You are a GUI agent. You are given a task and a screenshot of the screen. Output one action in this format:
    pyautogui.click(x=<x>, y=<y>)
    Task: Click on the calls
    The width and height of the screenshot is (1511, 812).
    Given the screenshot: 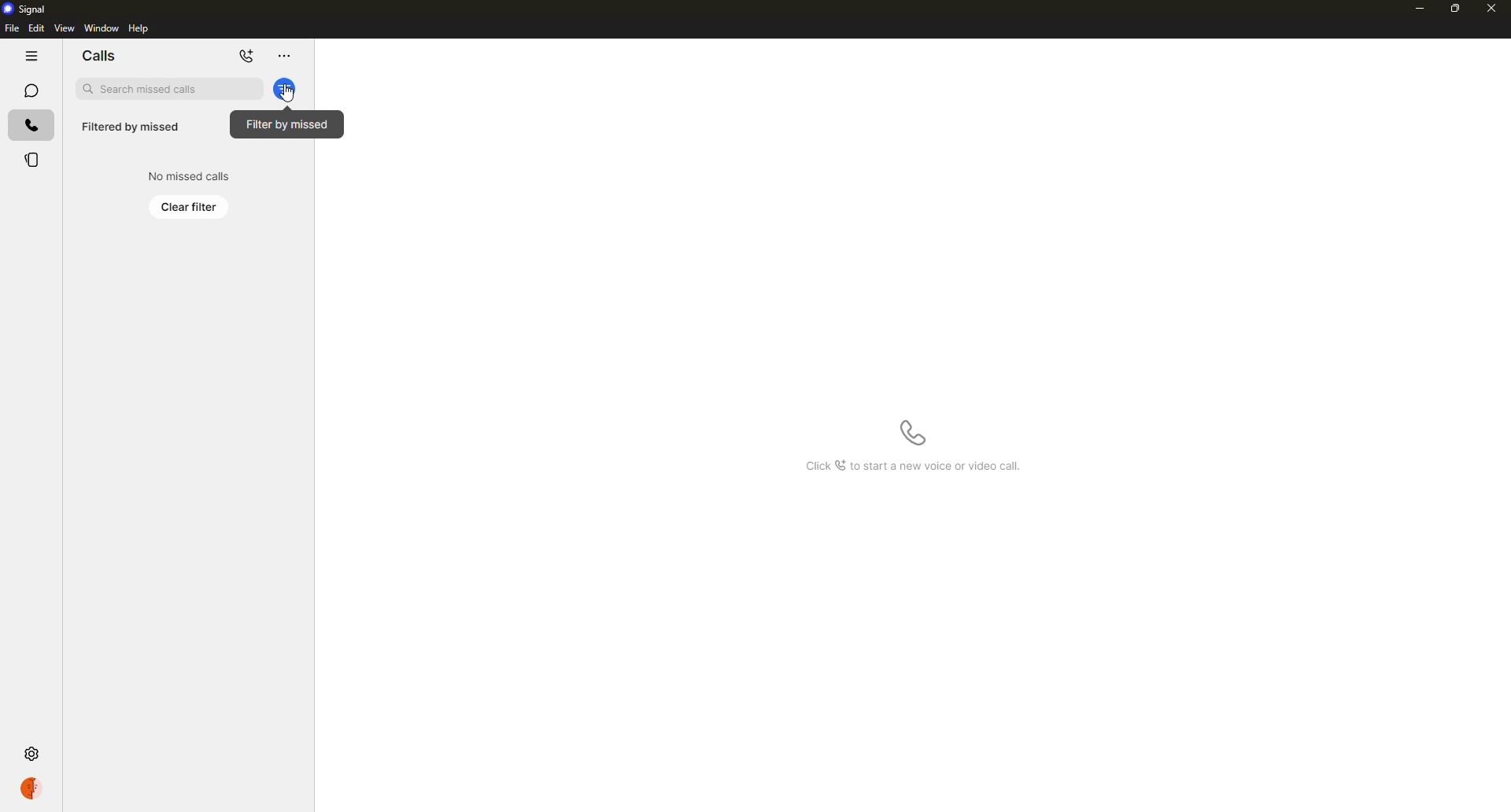 What is the action you would take?
    pyautogui.click(x=100, y=54)
    